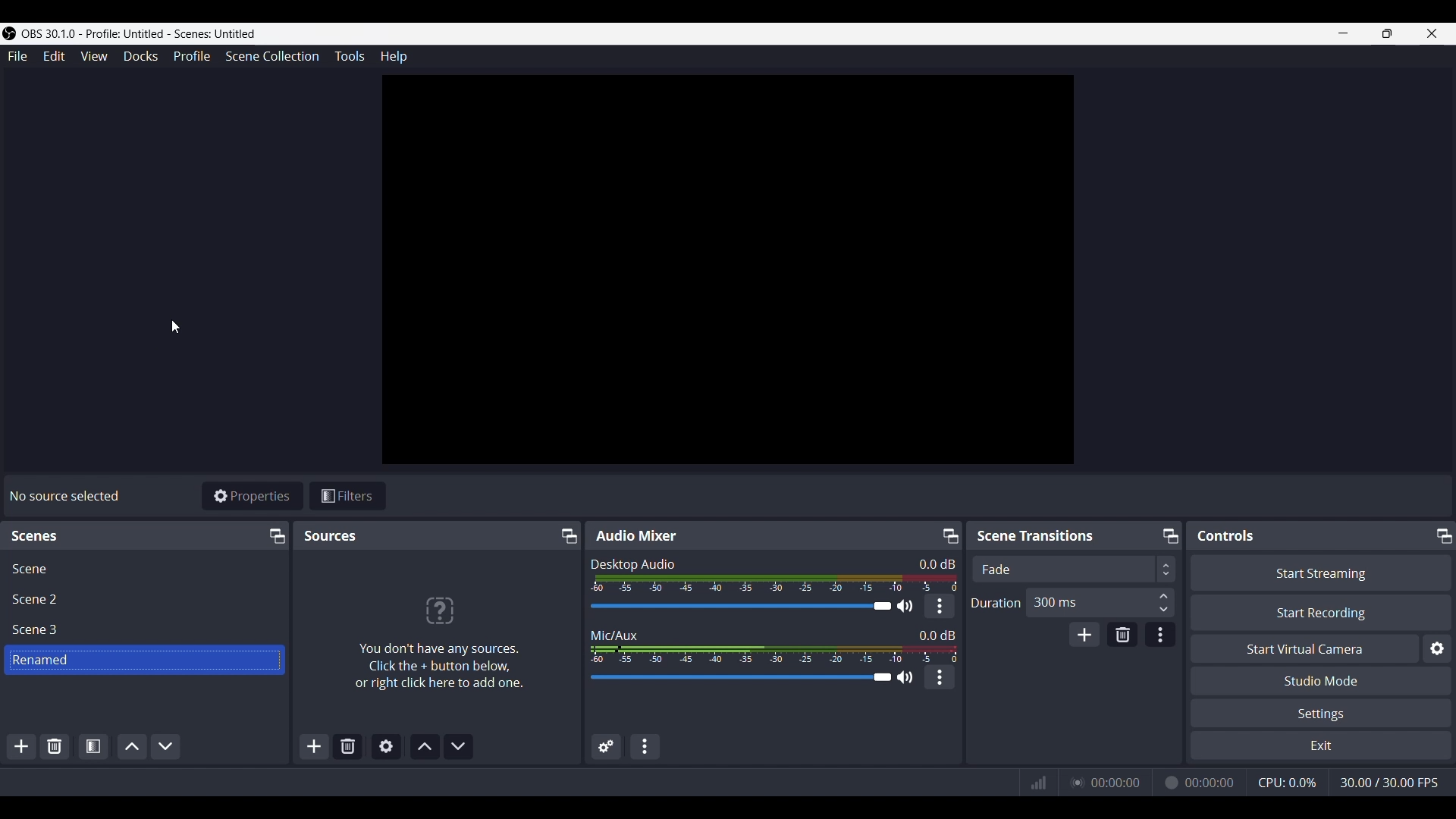  What do you see at coordinates (39, 630) in the screenshot?
I see `Scene 3` at bounding box center [39, 630].